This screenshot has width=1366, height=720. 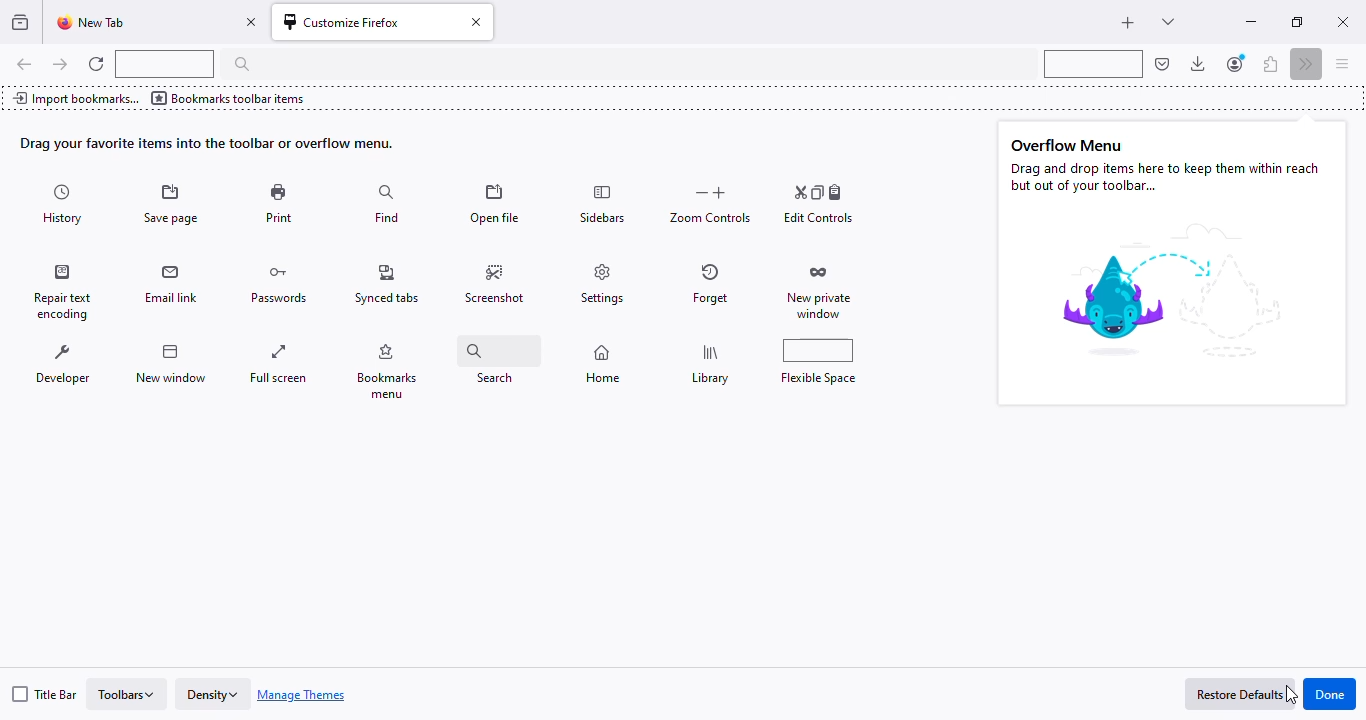 I want to click on new private window, so click(x=820, y=293).